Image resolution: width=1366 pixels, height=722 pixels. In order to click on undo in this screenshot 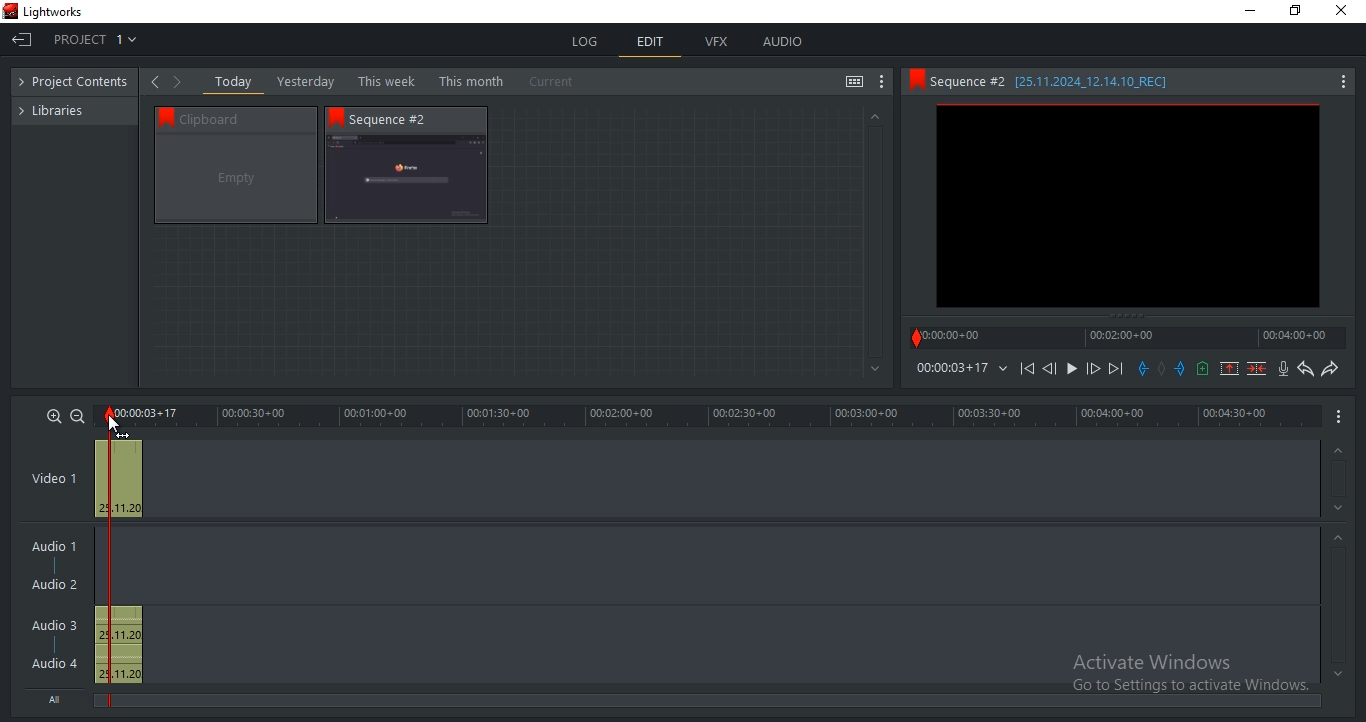, I will do `click(1306, 369)`.